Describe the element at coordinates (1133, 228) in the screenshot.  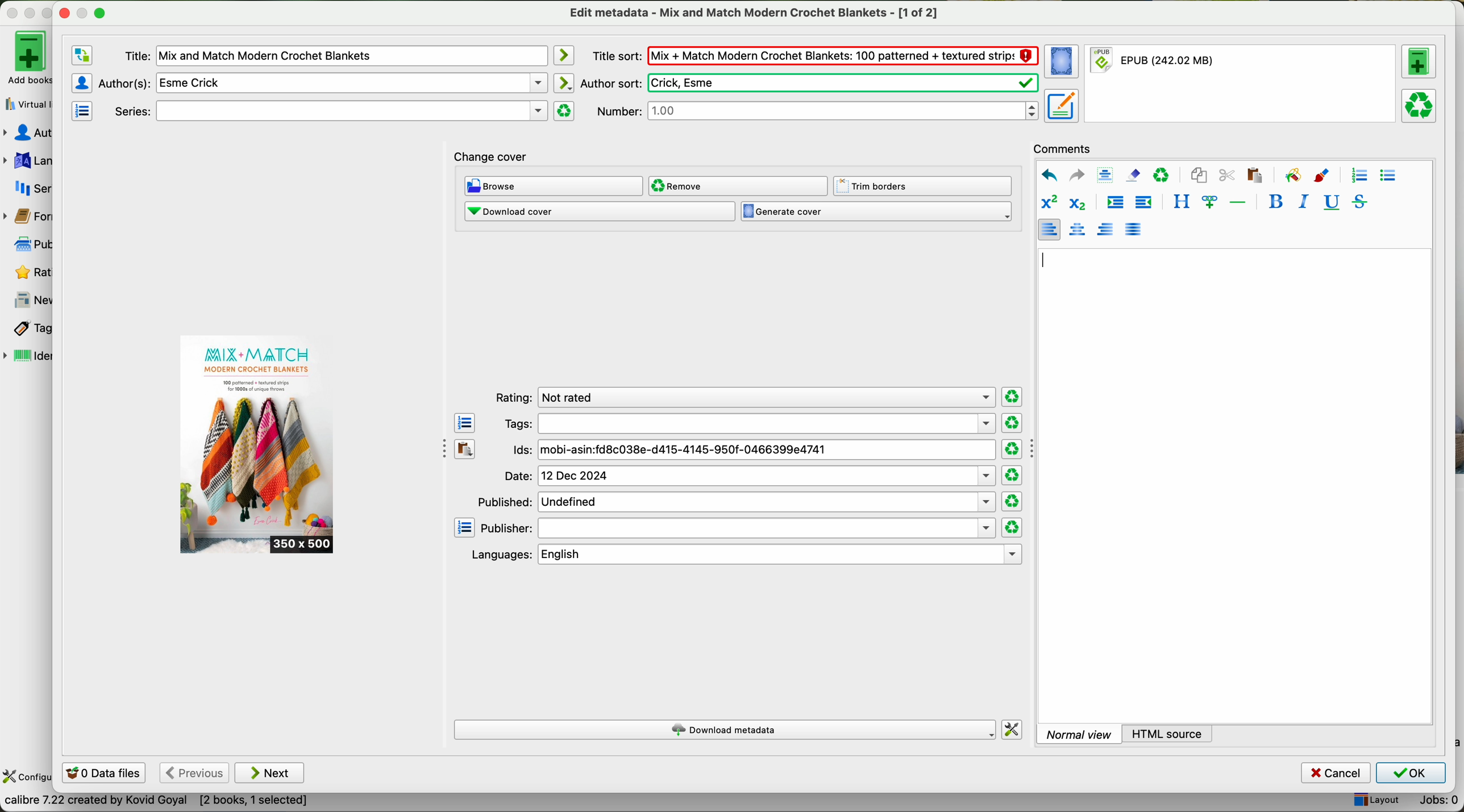
I see `align justified` at that location.